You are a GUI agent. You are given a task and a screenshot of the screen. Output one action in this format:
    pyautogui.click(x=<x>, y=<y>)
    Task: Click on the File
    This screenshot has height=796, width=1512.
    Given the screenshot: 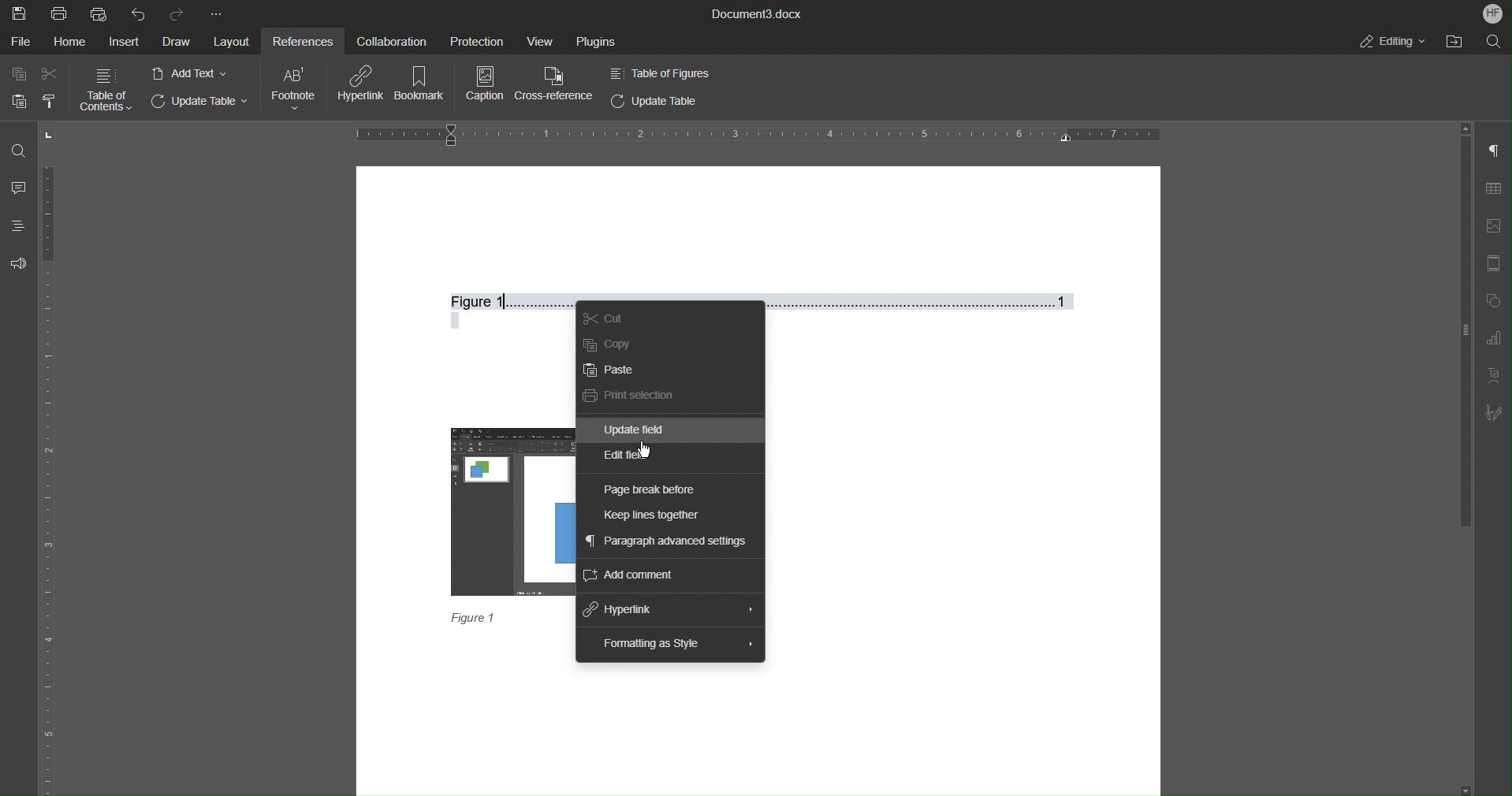 What is the action you would take?
    pyautogui.click(x=23, y=42)
    